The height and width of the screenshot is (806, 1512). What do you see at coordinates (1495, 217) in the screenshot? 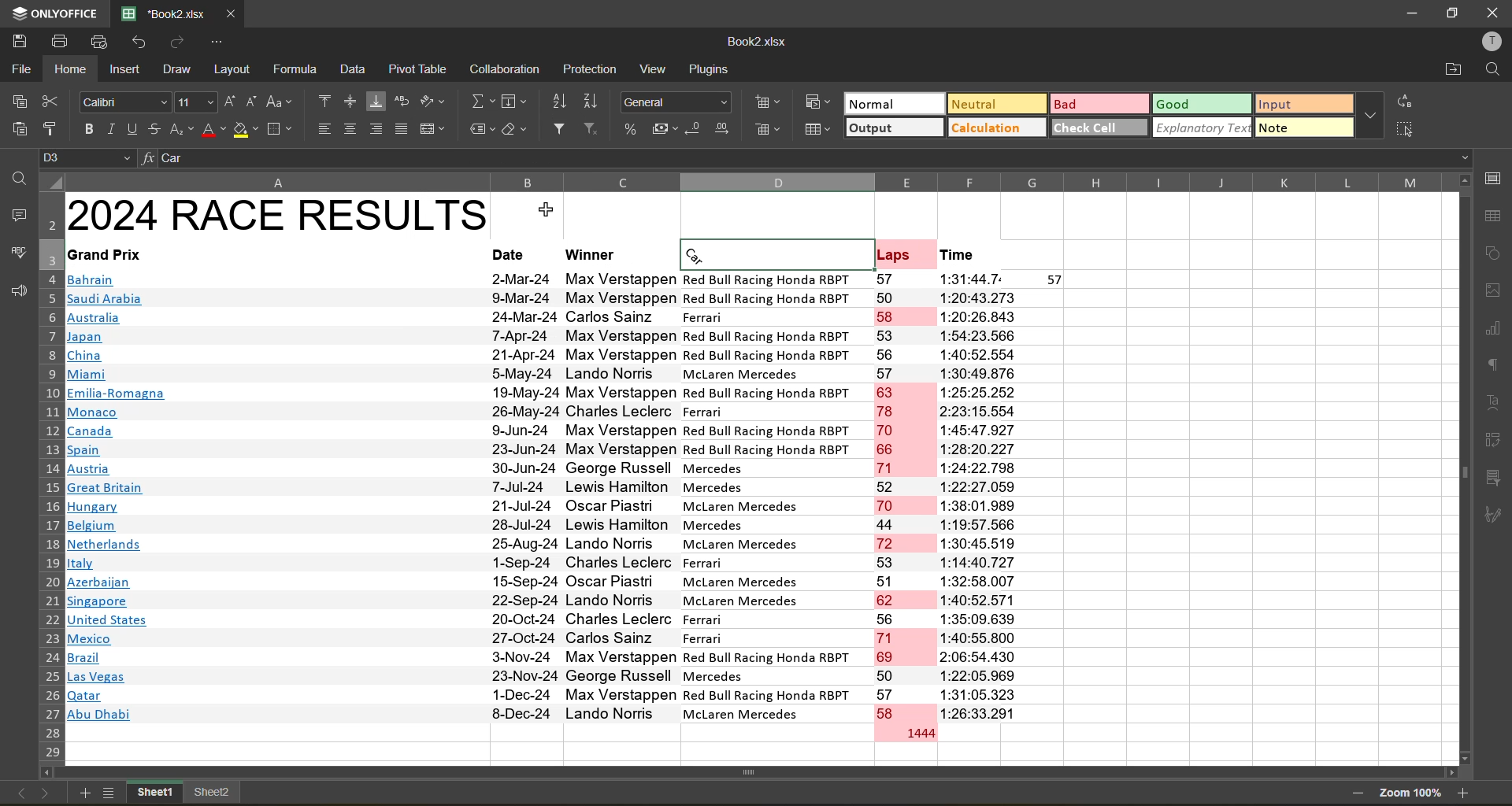
I see `table` at bounding box center [1495, 217].